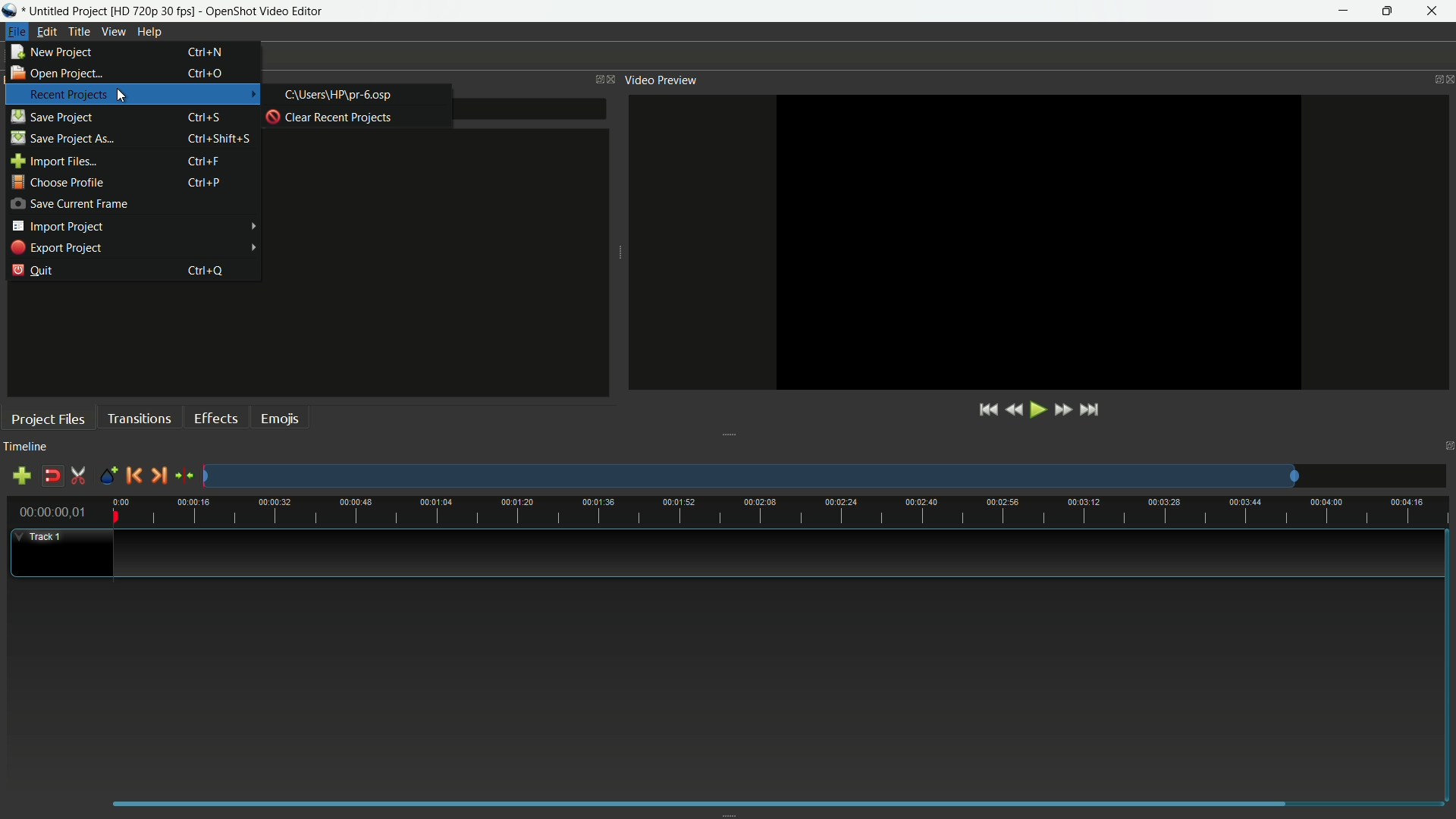 The image size is (1456, 819). Describe the element at coordinates (52, 512) in the screenshot. I see `current time` at that location.